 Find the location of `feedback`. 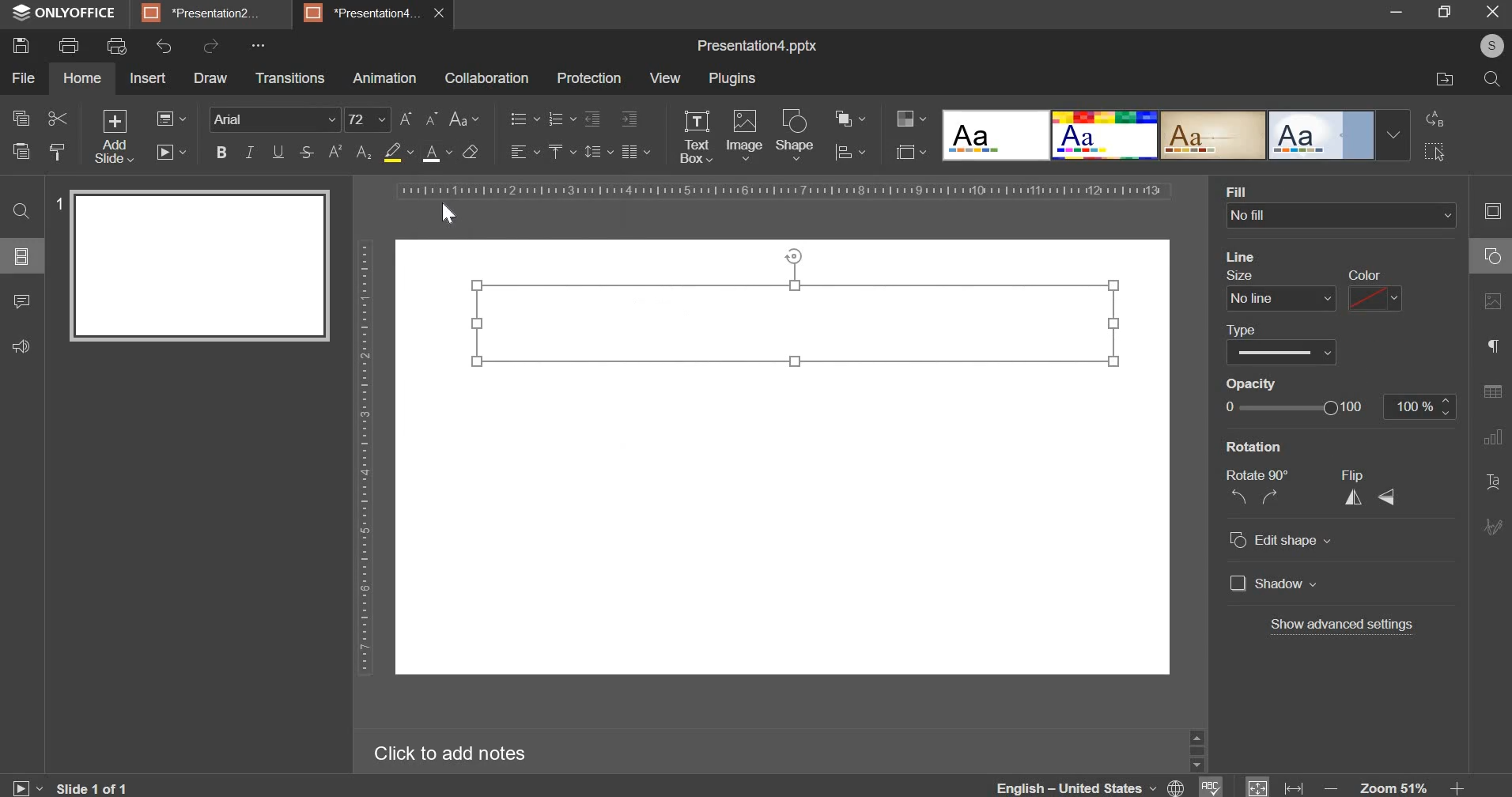

feedback is located at coordinates (23, 345).